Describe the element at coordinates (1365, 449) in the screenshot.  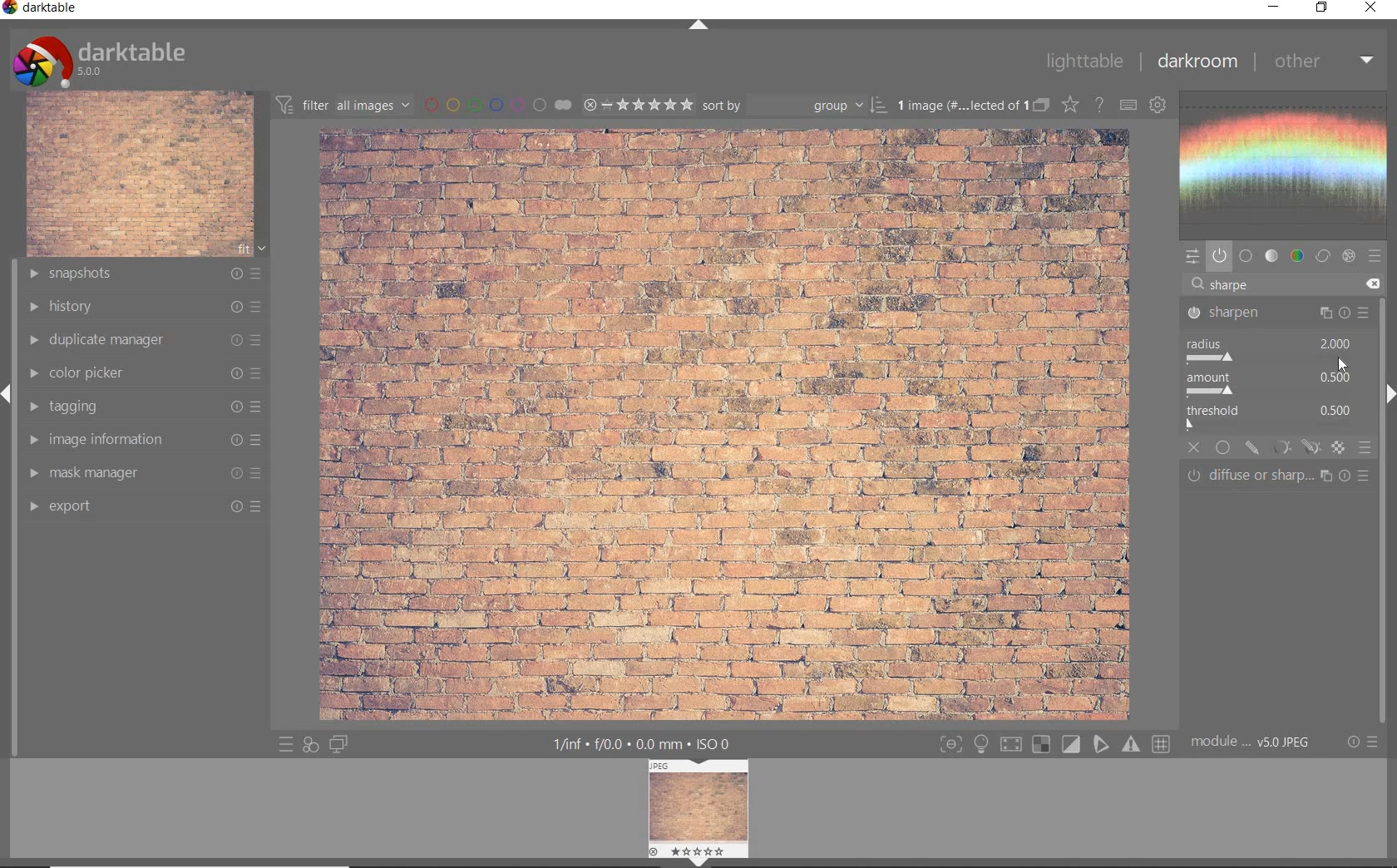
I see `BLENDING OPTIONS` at that location.